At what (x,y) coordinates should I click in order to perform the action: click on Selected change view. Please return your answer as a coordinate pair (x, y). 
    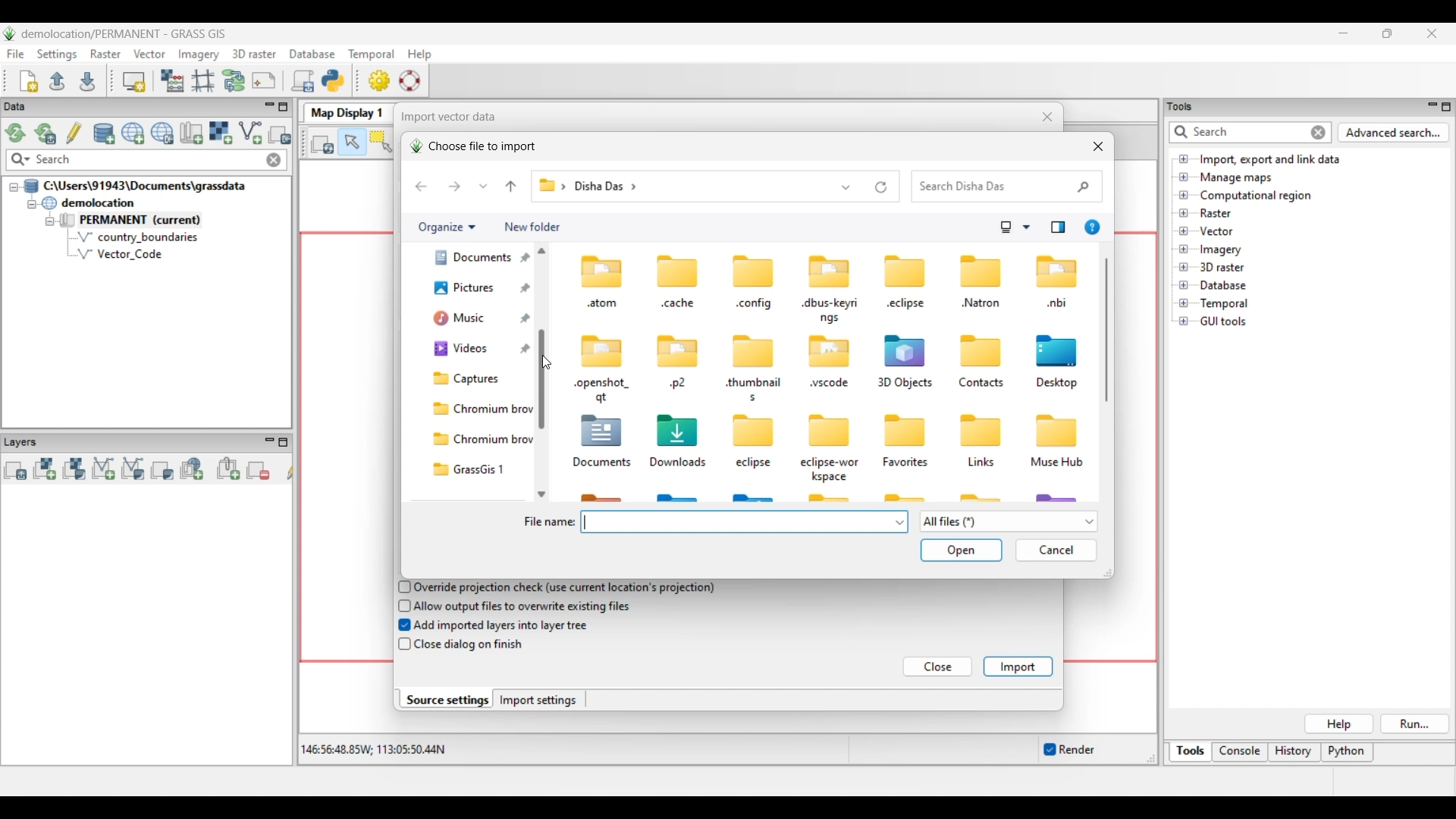
    Looking at the image, I should click on (1006, 227).